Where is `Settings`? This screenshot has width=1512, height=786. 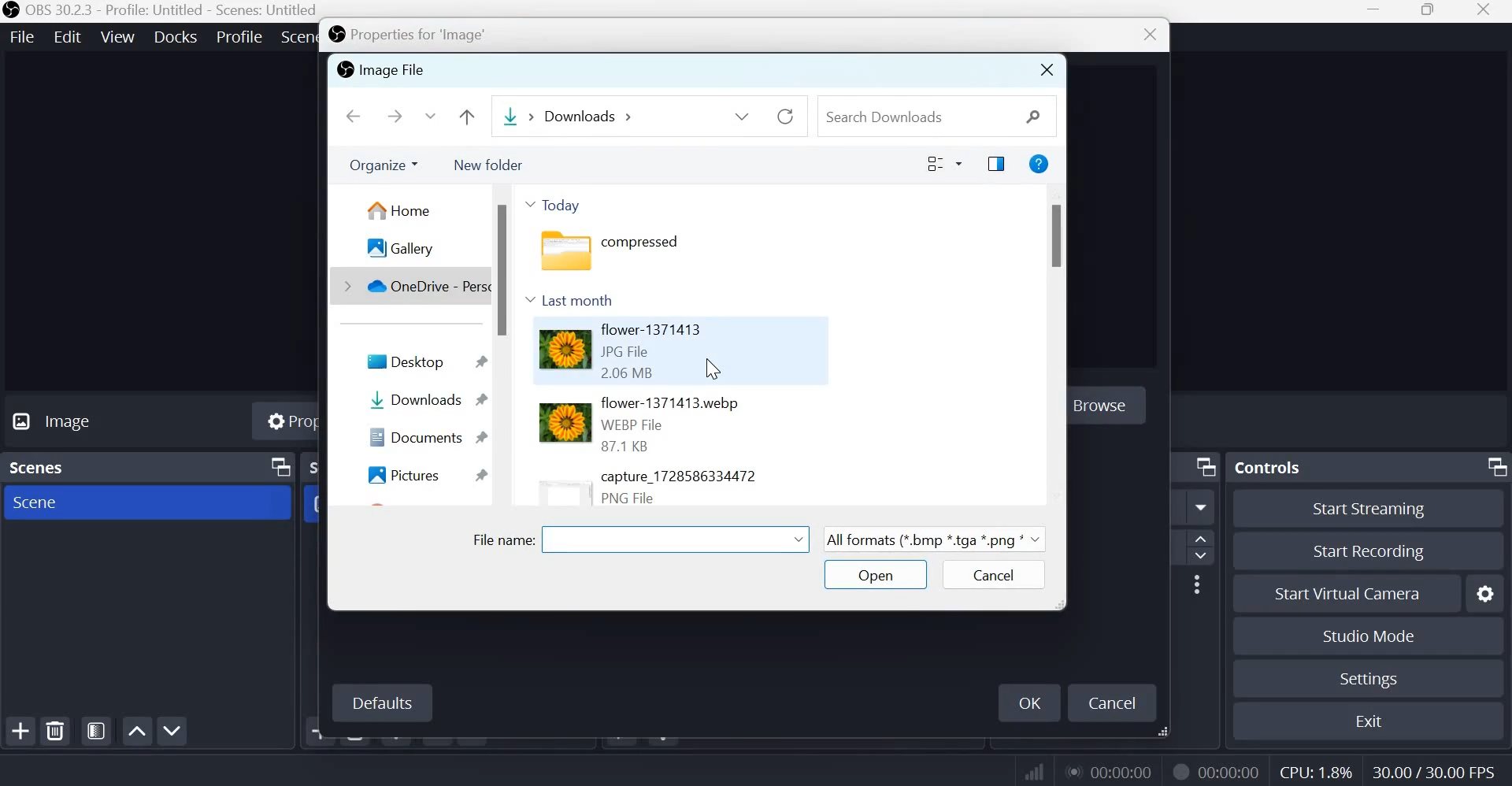 Settings is located at coordinates (1369, 679).